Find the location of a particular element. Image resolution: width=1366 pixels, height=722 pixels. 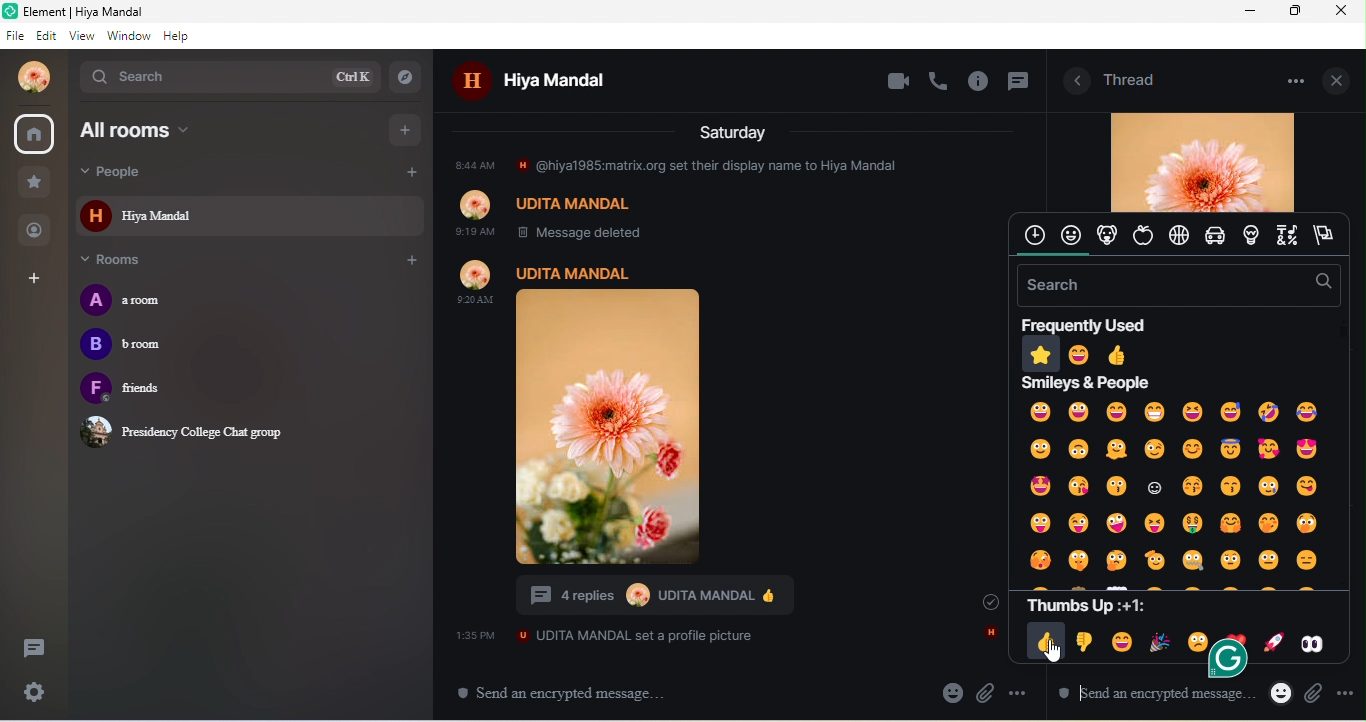

people is located at coordinates (36, 229).